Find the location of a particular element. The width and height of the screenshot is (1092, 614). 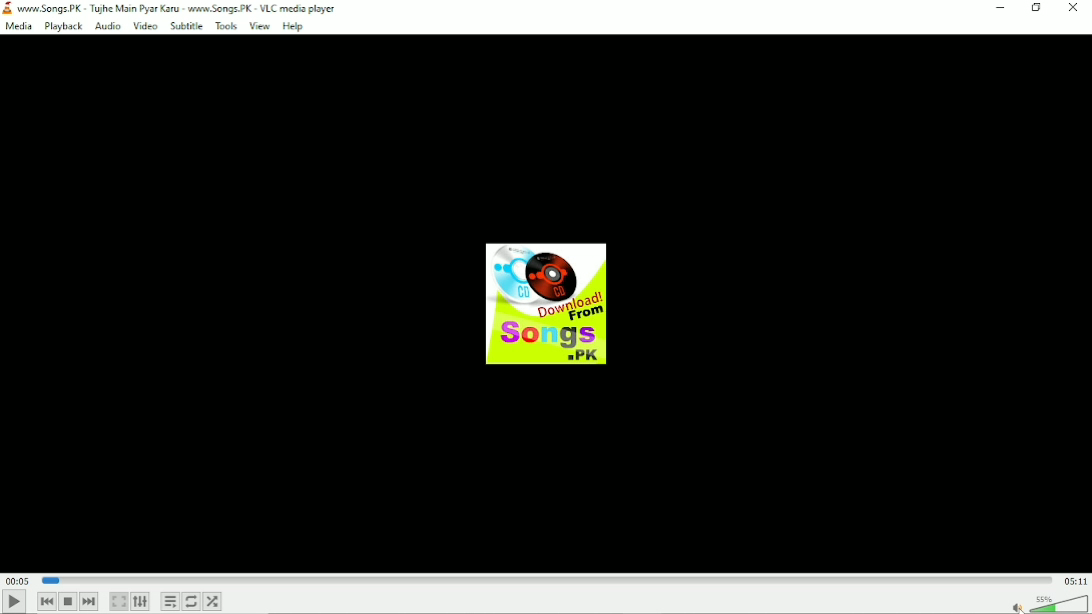

Play duration is located at coordinates (544, 579).